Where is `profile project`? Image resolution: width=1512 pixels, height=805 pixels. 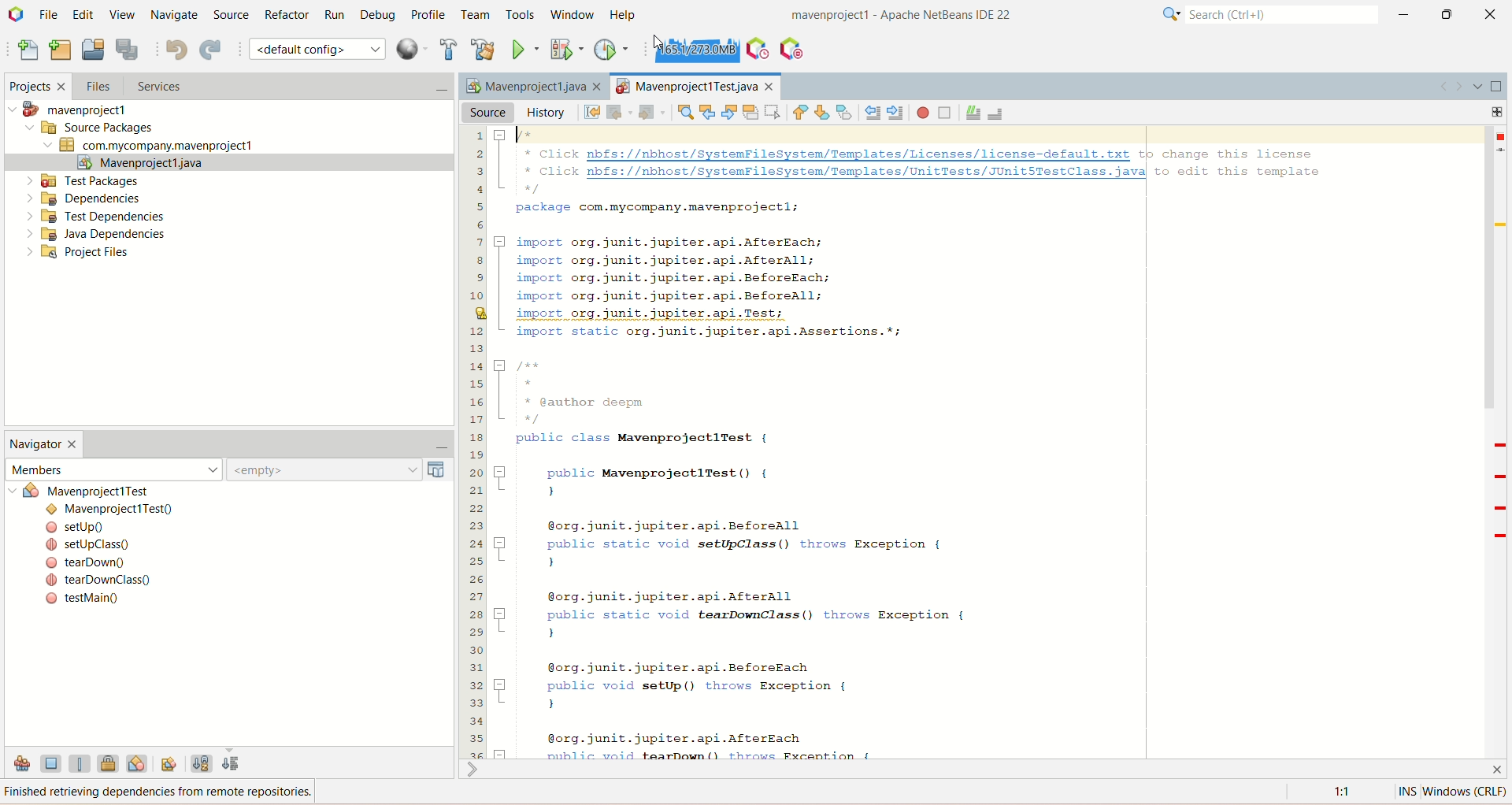
profile project is located at coordinates (613, 50).